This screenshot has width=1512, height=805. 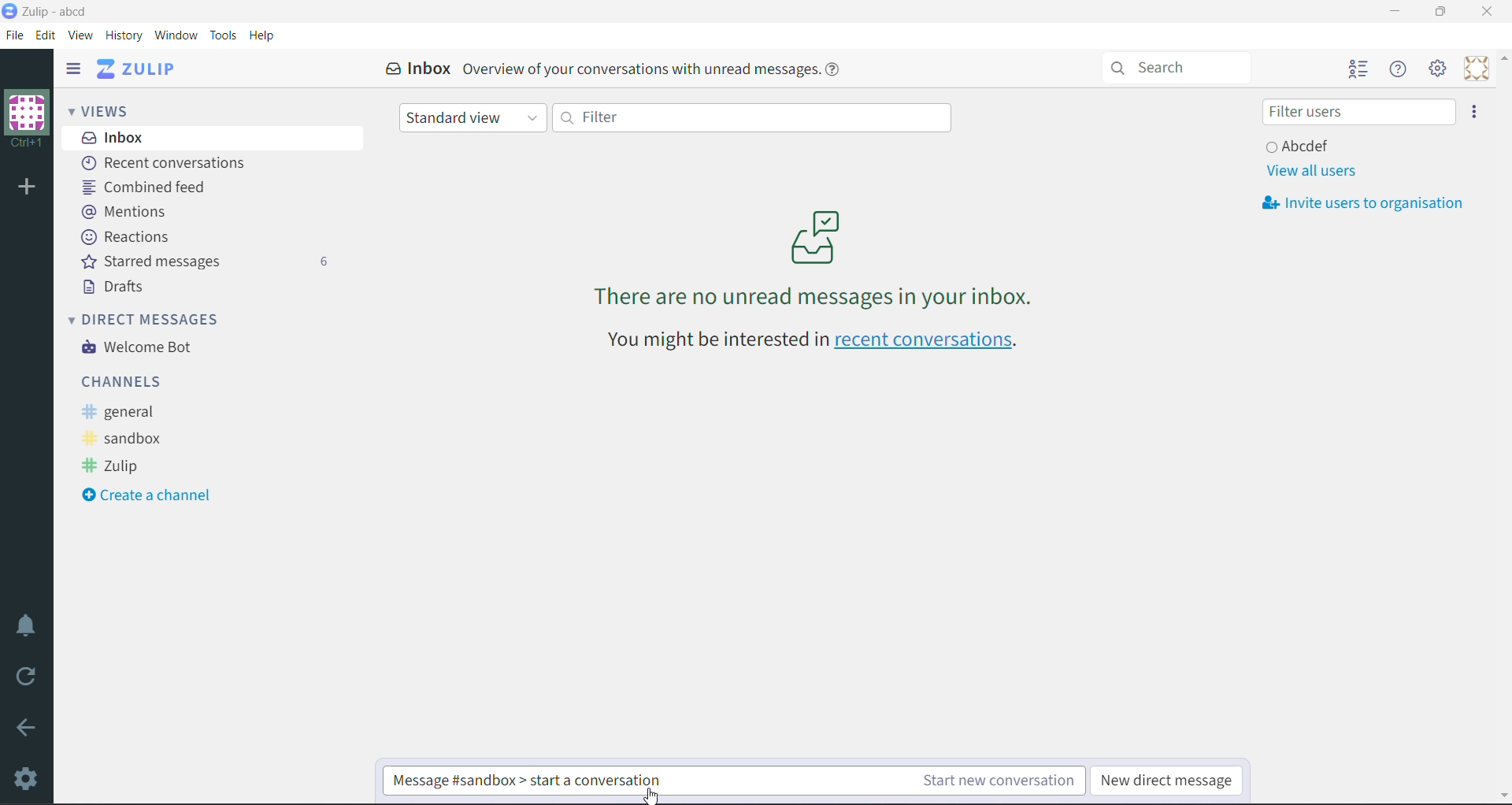 What do you see at coordinates (117, 287) in the screenshot?
I see `Drafts` at bounding box center [117, 287].